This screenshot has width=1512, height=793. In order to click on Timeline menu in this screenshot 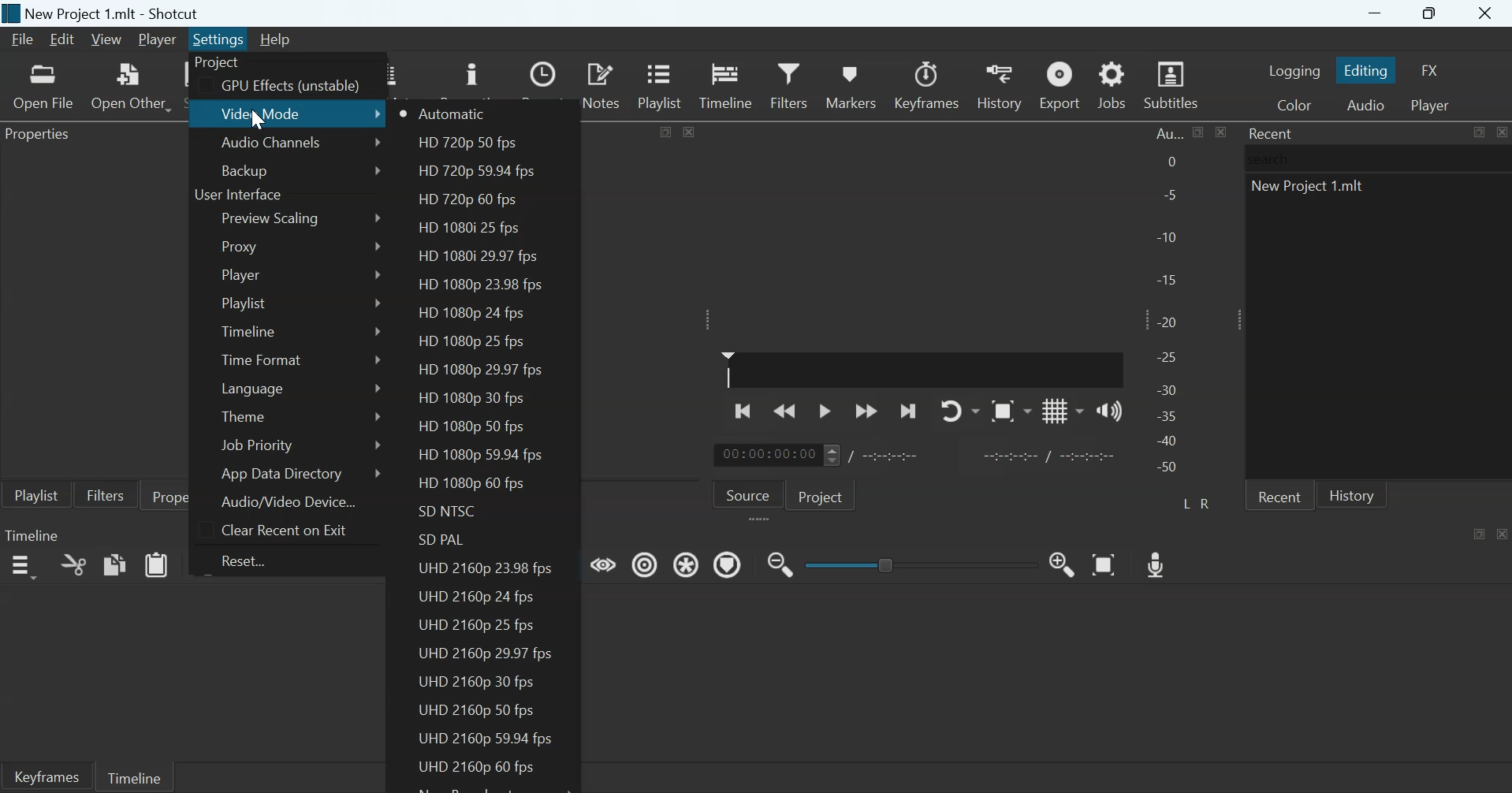, I will do `click(22, 567)`.